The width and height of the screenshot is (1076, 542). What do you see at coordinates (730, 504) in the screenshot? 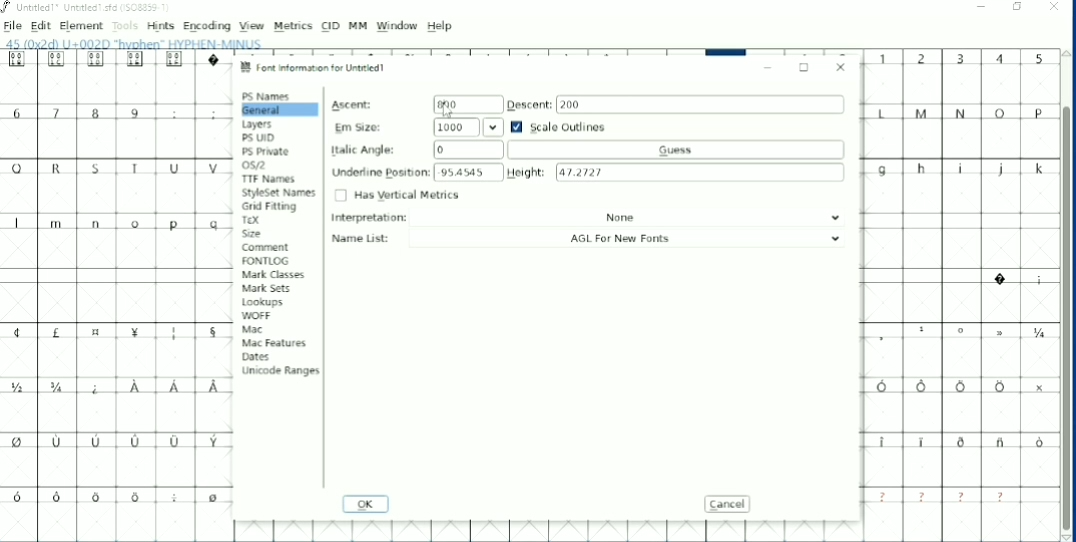
I see `Cancel` at bounding box center [730, 504].